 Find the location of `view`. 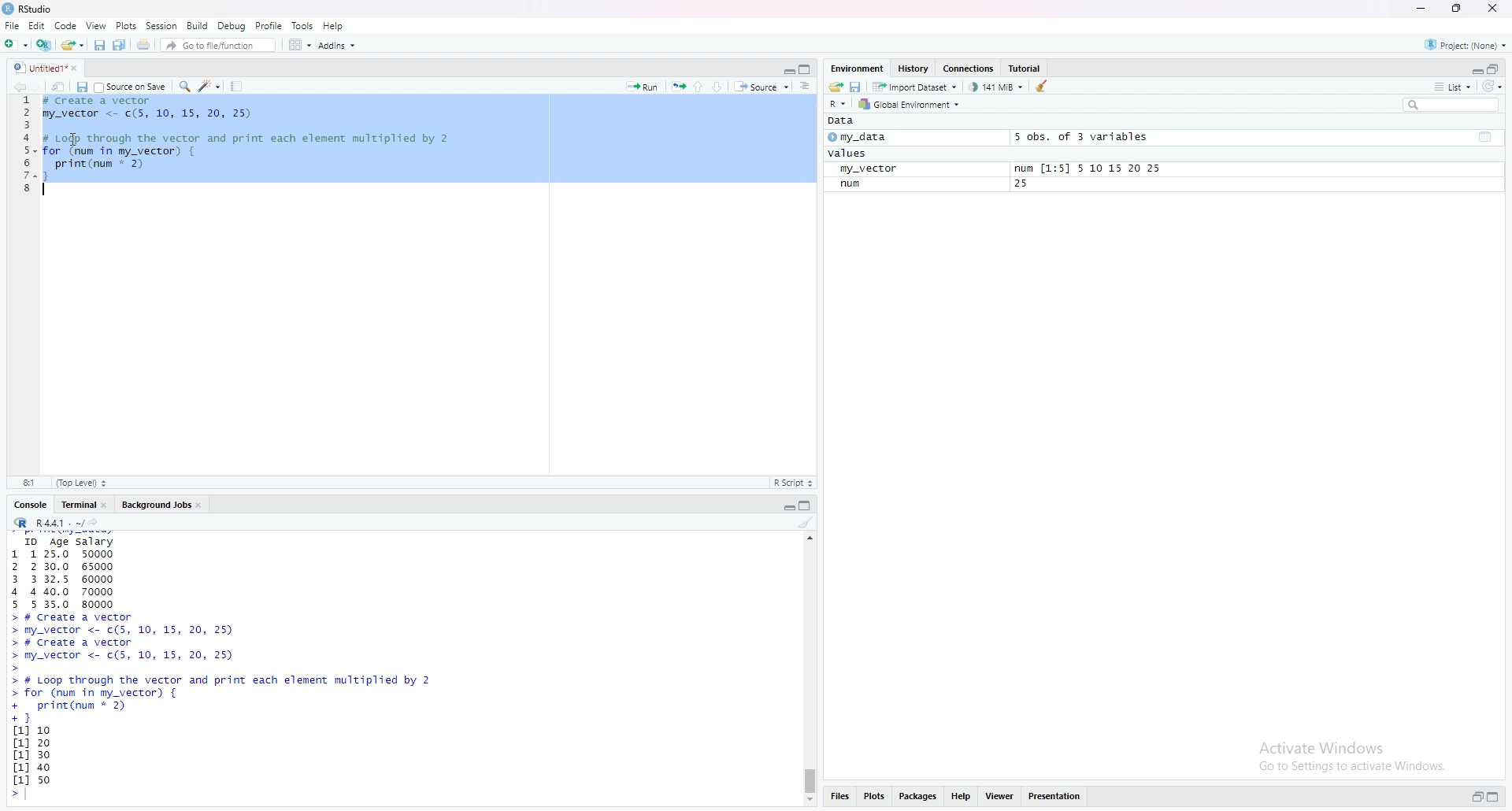

view is located at coordinates (97, 26).